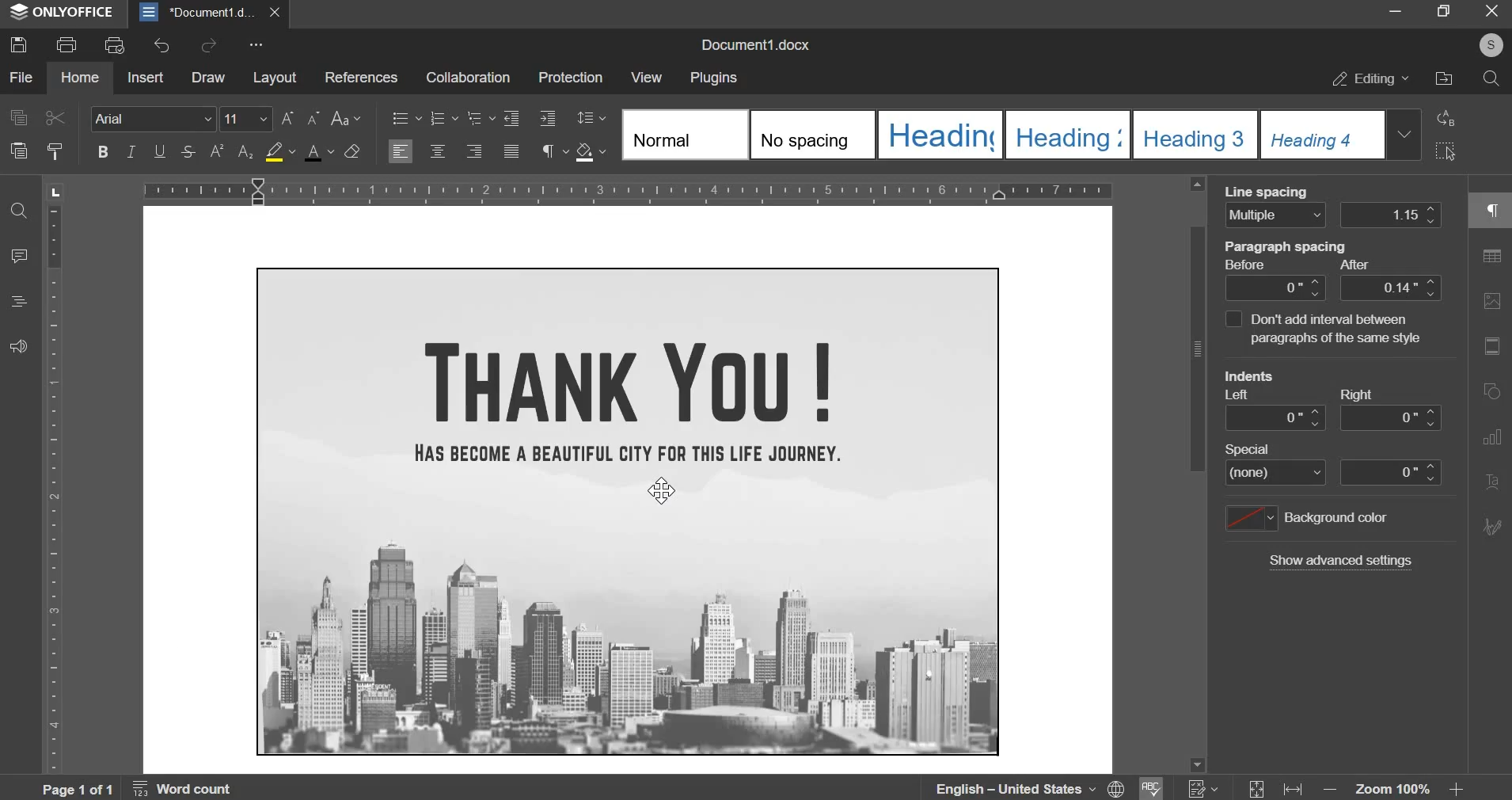 The height and width of the screenshot is (800, 1512). What do you see at coordinates (629, 189) in the screenshot?
I see `ruler` at bounding box center [629, 189].